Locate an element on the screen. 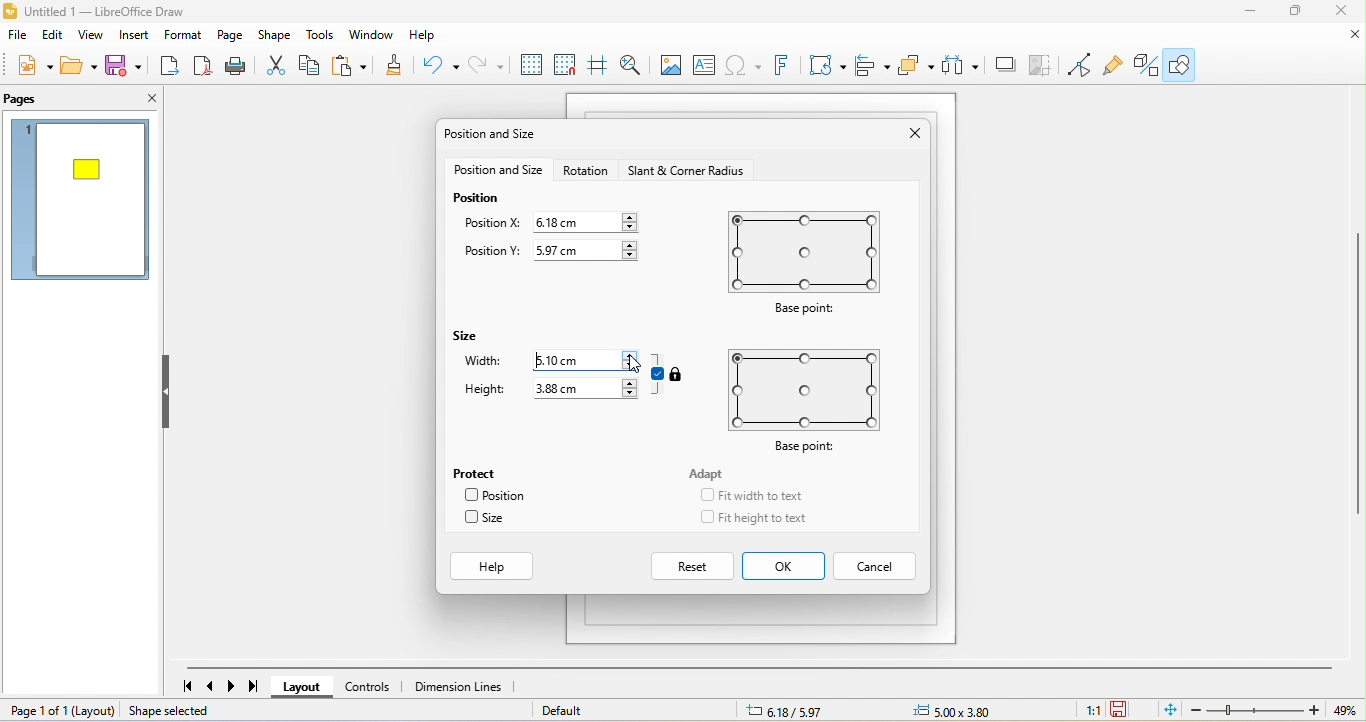 This screenshot has width=1366, height=722. export direct as pdf is located at coordinates (202, 68).